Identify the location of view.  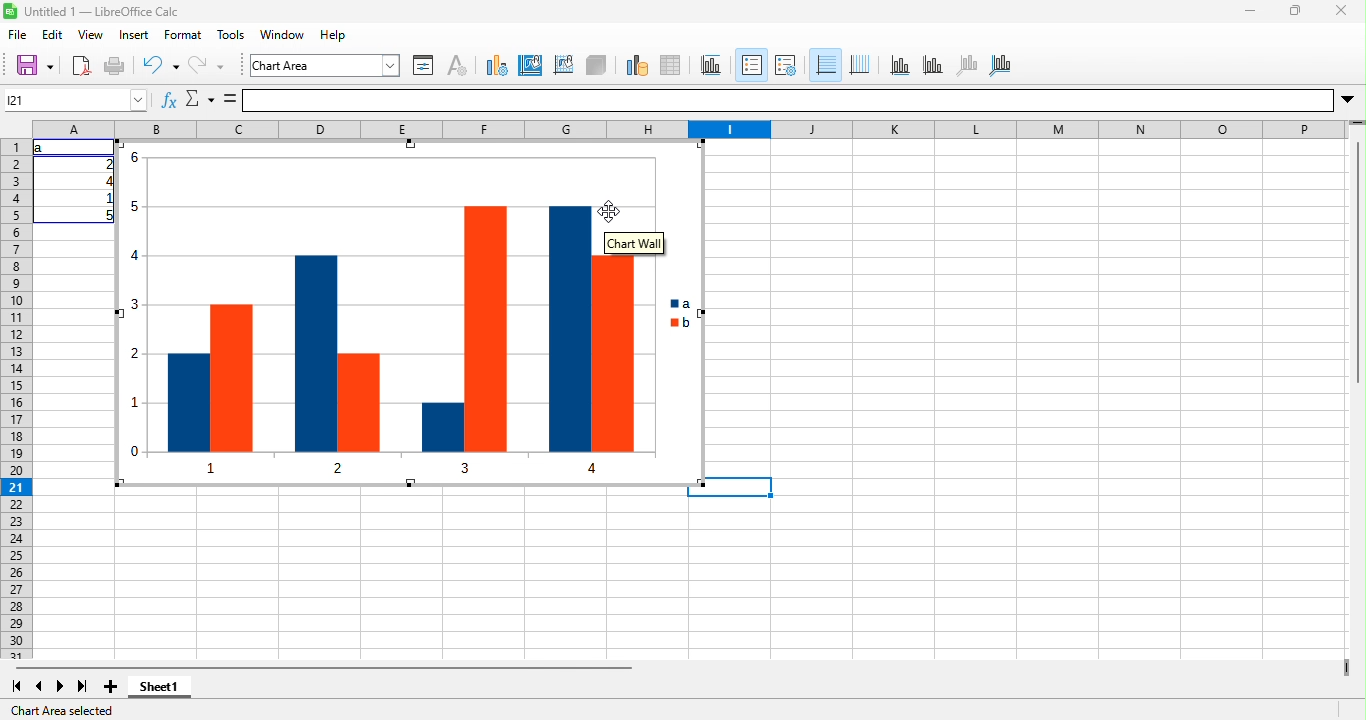
(91, 34).